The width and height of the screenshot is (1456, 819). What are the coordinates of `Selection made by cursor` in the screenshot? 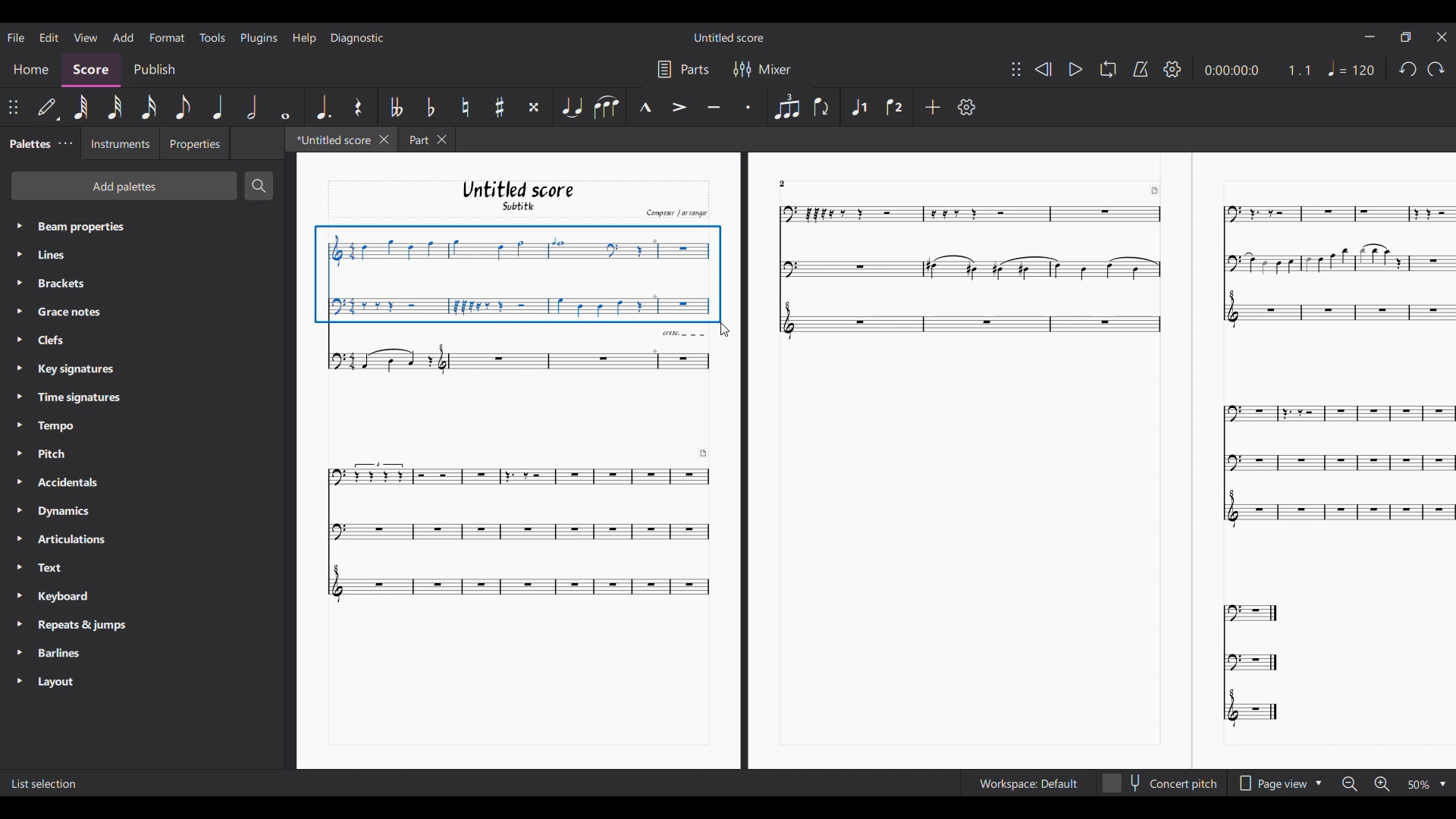 It's located at (517, 272).